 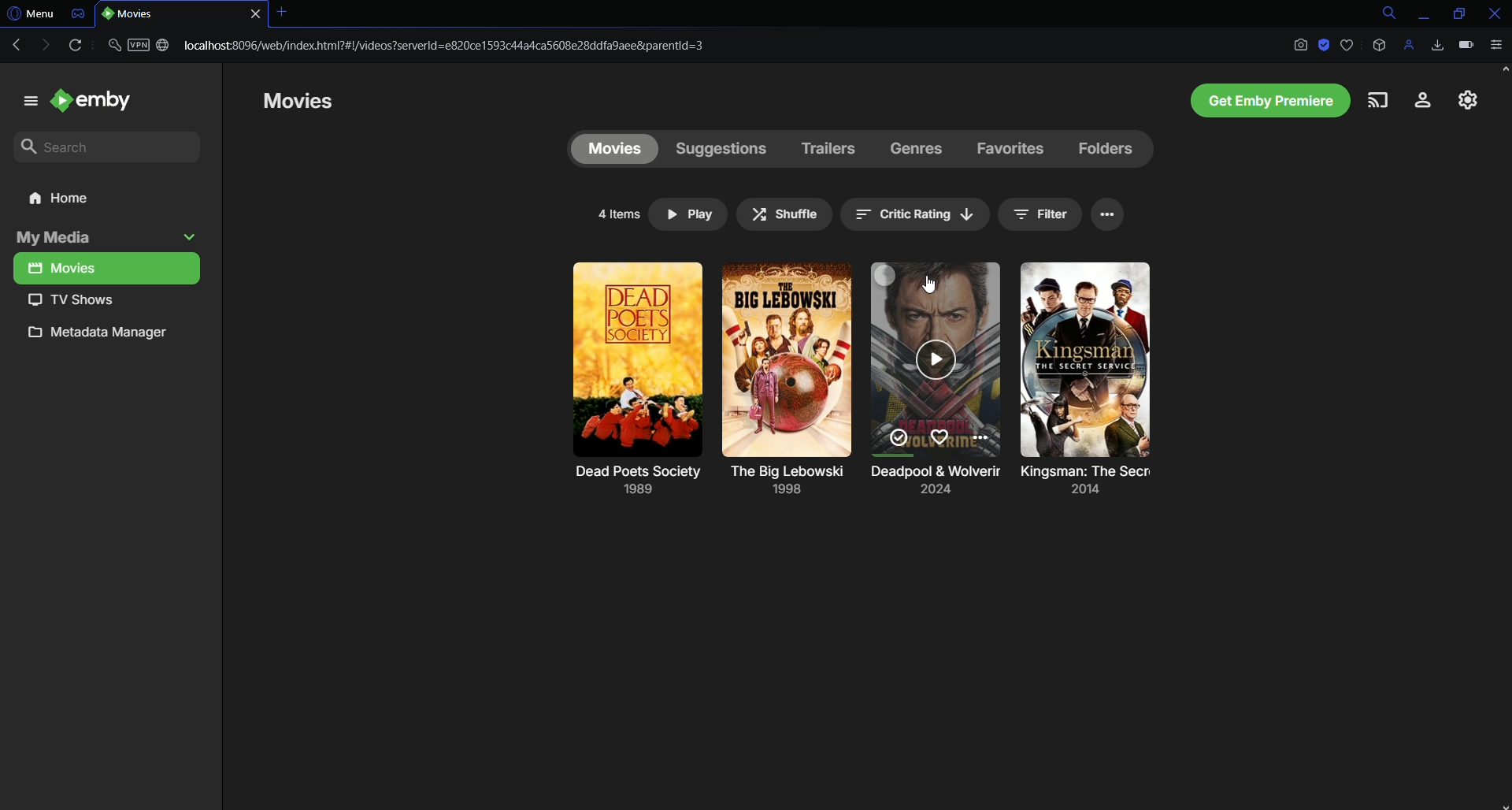 I want to click on The Big Lebowski, so click(x=1090, y=481).